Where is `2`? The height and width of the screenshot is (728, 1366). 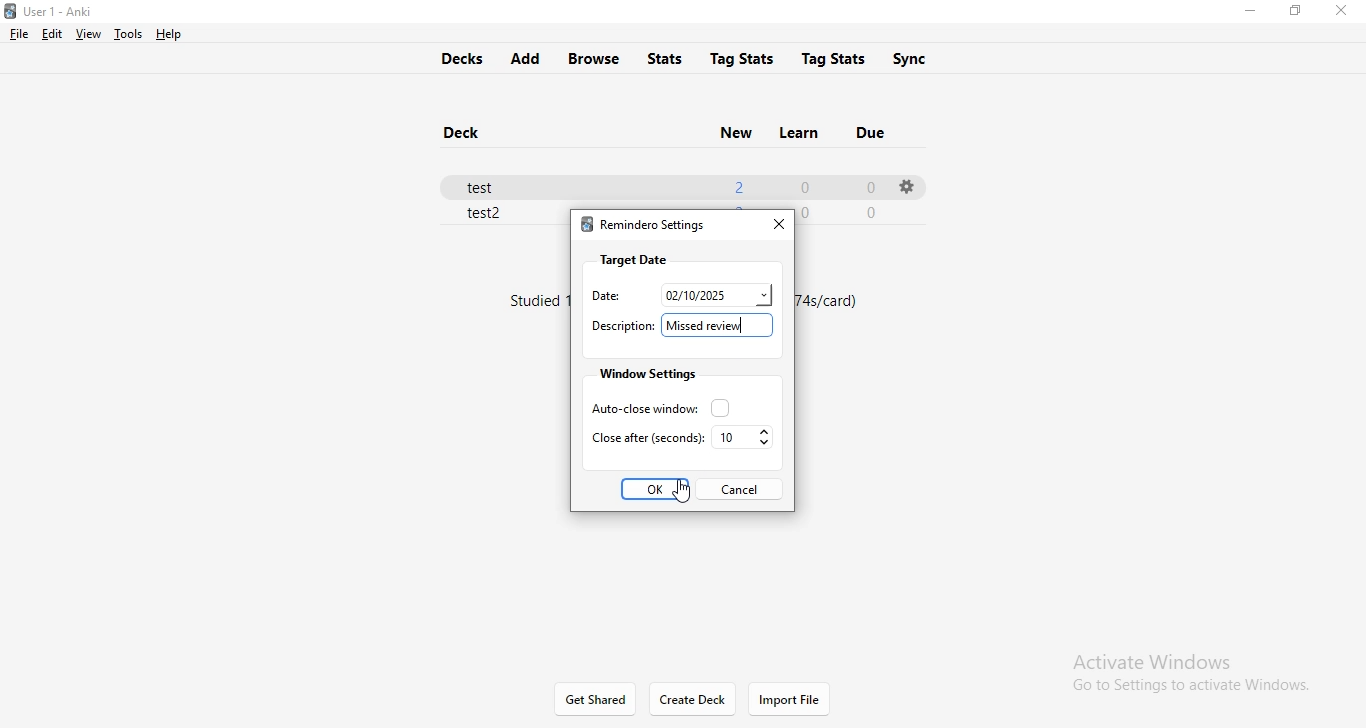
2 is located at coordinates (737, 184).